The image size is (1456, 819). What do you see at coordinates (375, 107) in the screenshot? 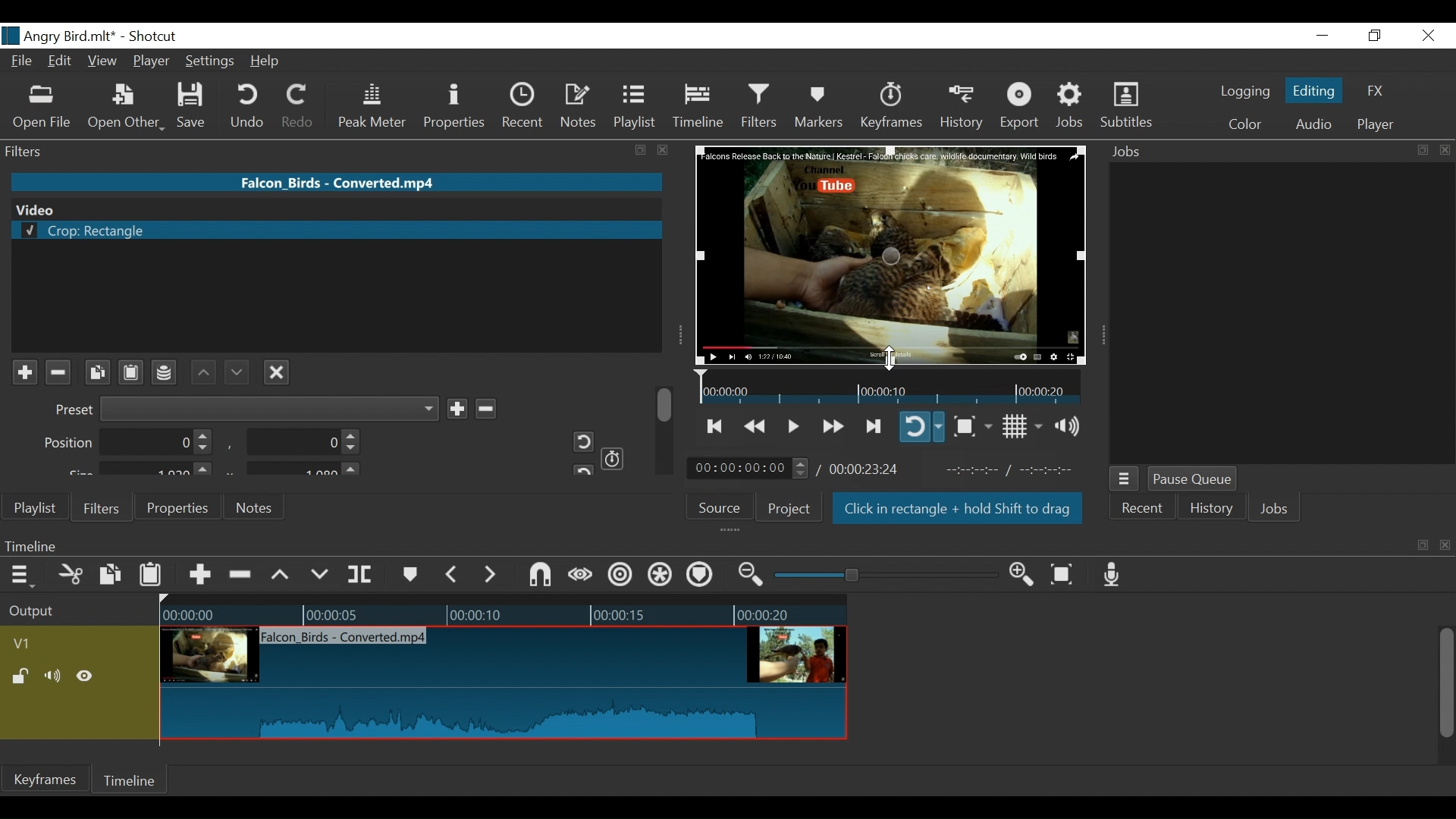
I see `Peak Meter` at bounding box center [375, 107].